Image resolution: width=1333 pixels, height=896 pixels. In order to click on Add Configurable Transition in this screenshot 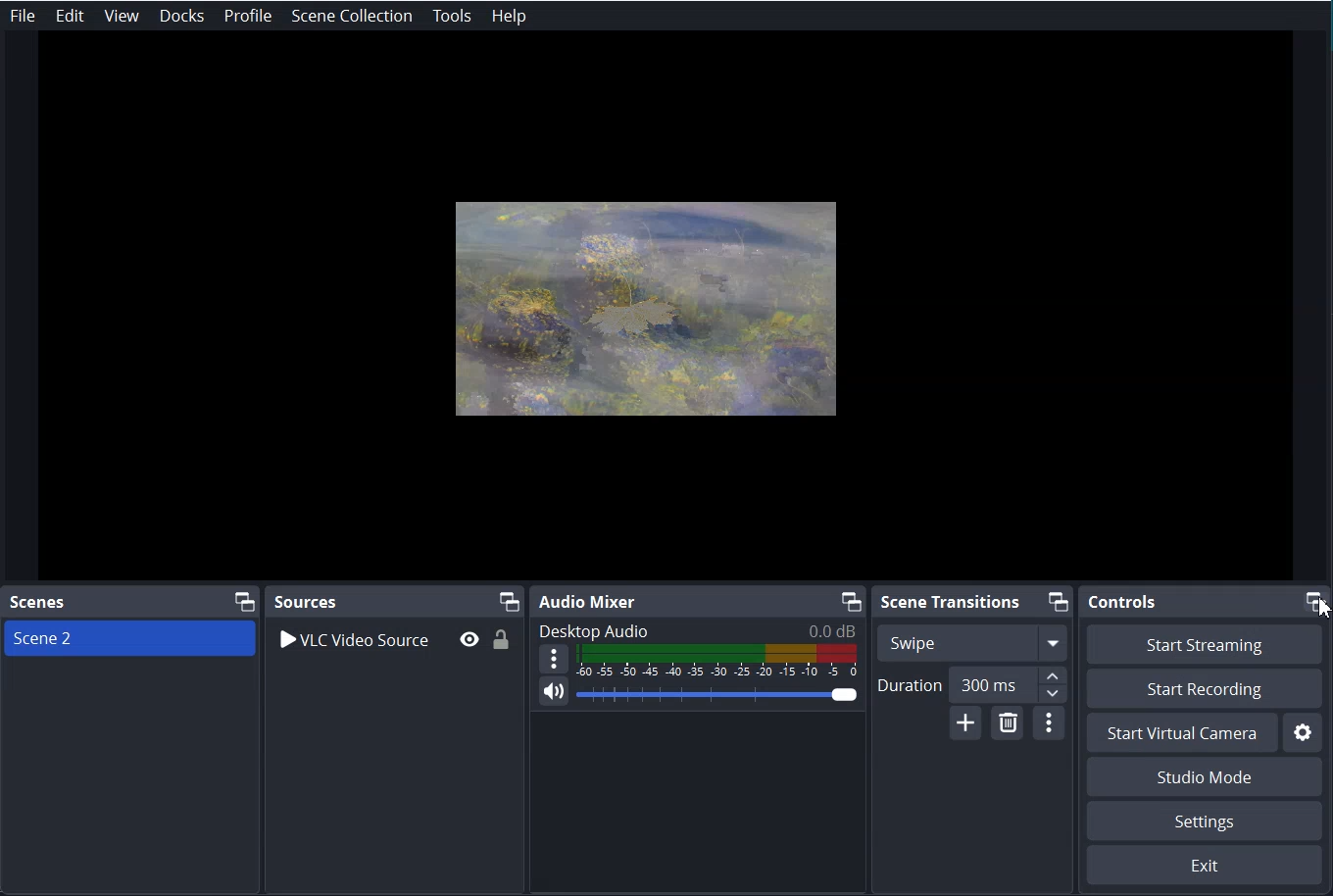, I will do `click(966, 723)`.